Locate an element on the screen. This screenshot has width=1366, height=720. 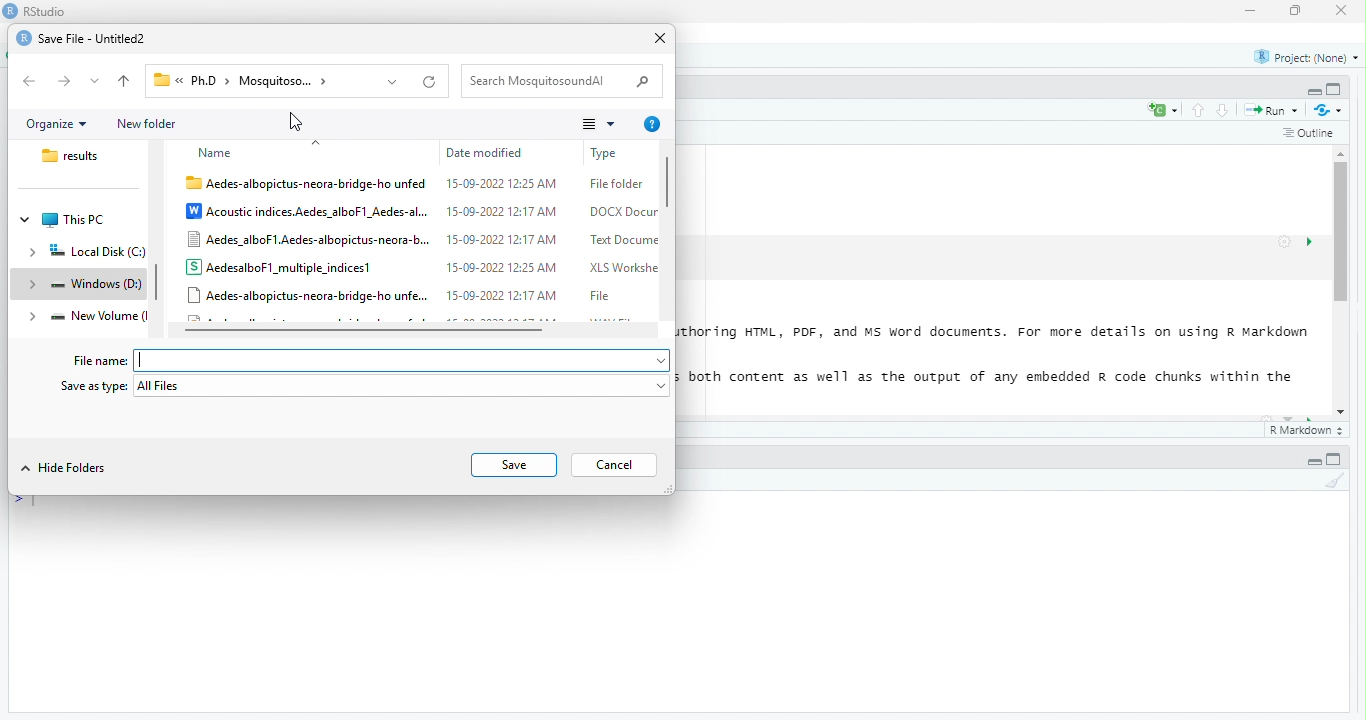
cursor is located at coordinates (297, 121).